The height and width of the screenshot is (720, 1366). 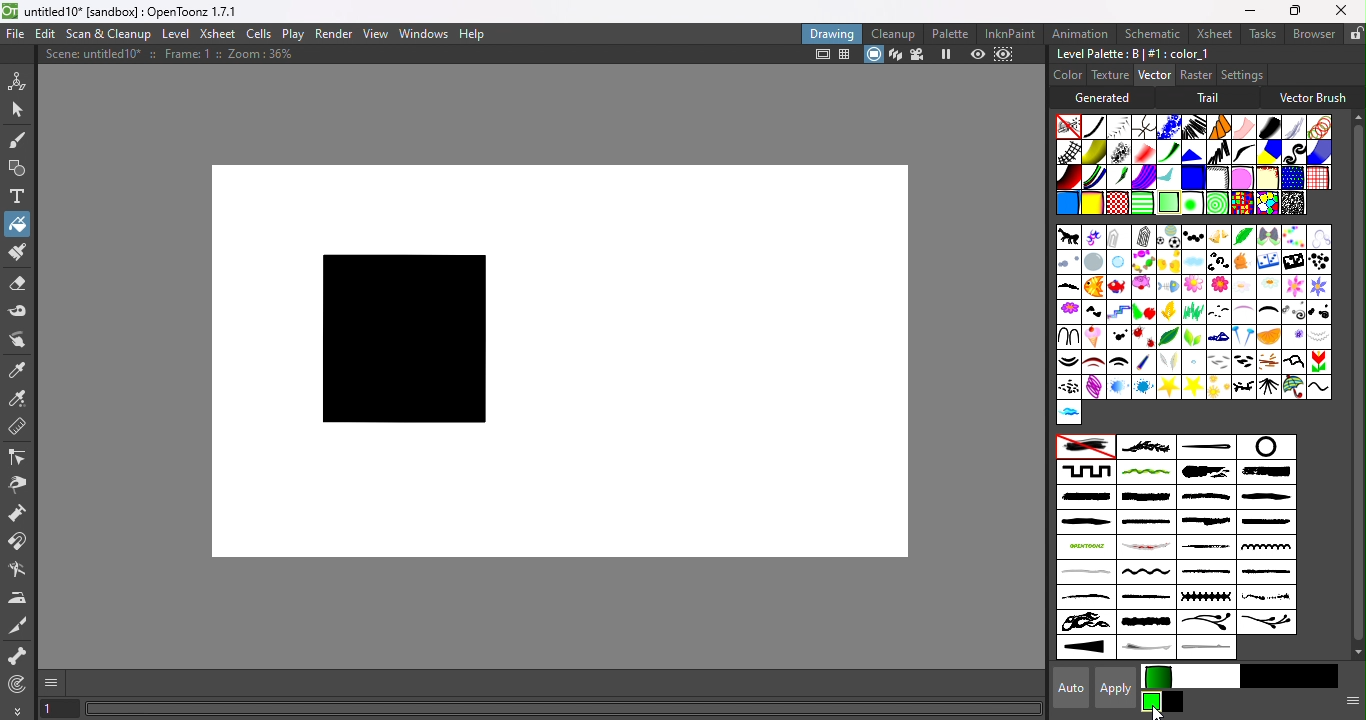 What do you see at coordinates (18, 429) in the screenshot?
I see `Ruler tool` at bounding box center [18, 429].